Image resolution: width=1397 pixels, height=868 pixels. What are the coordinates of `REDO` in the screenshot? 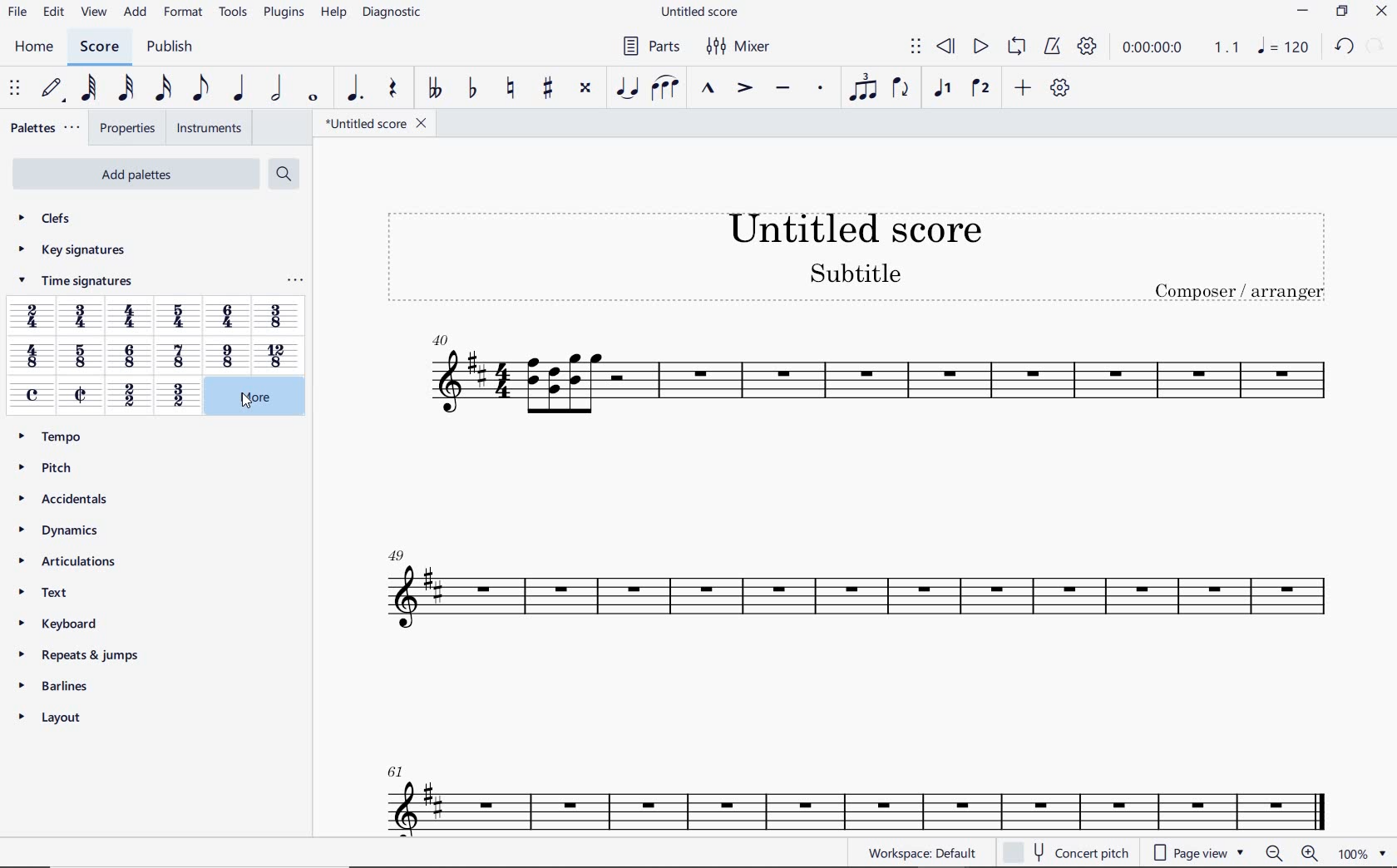 It's located at (1376, 45).